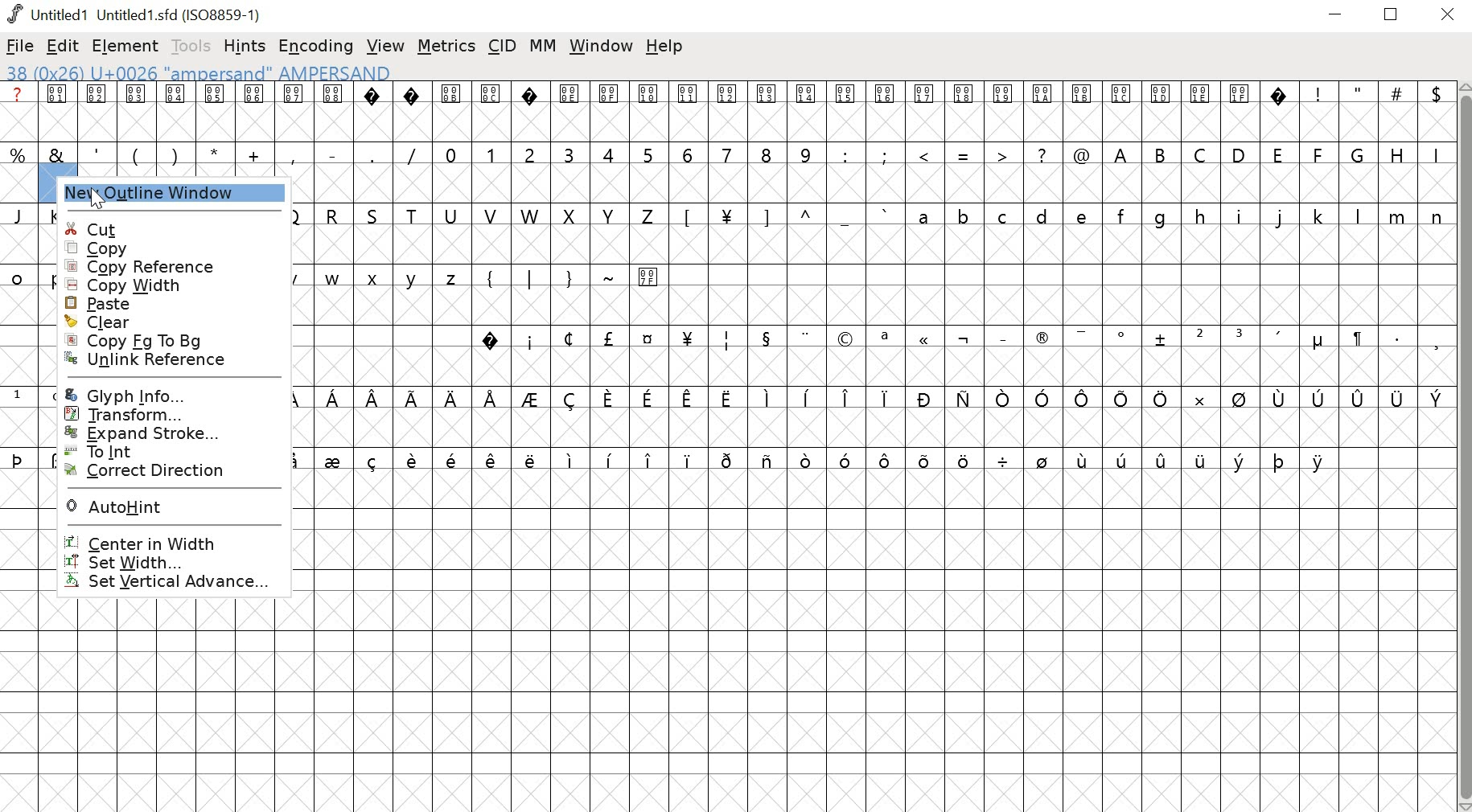 This screenshot has height=812, width=1472. I want to click on symbol, so click(335, 459).